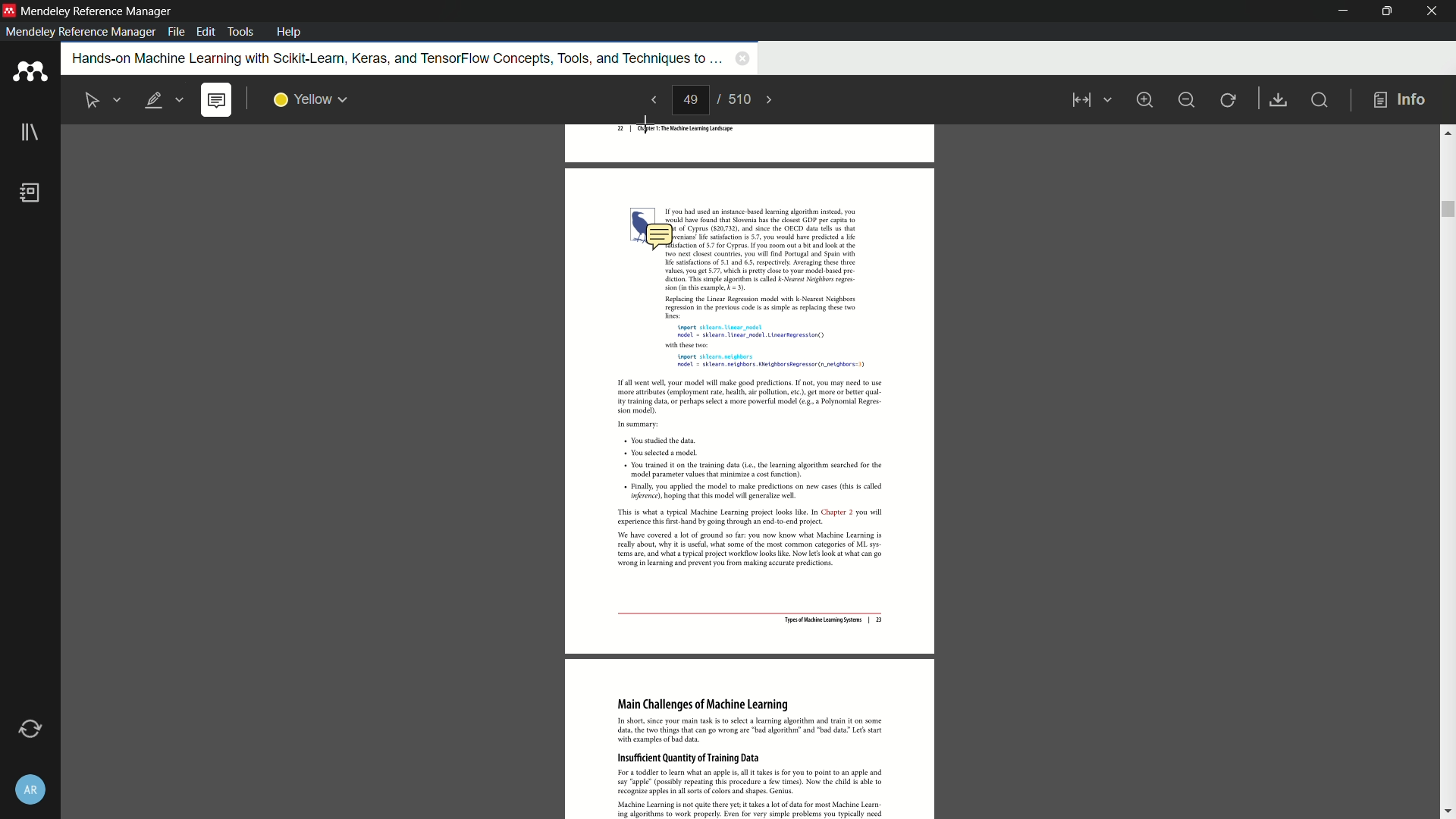 Image resolution: width=1456 pixels, height=819 pixels. Describe the element at coordinates (1087, 102) in the screenshot. I see `book view` at that location.